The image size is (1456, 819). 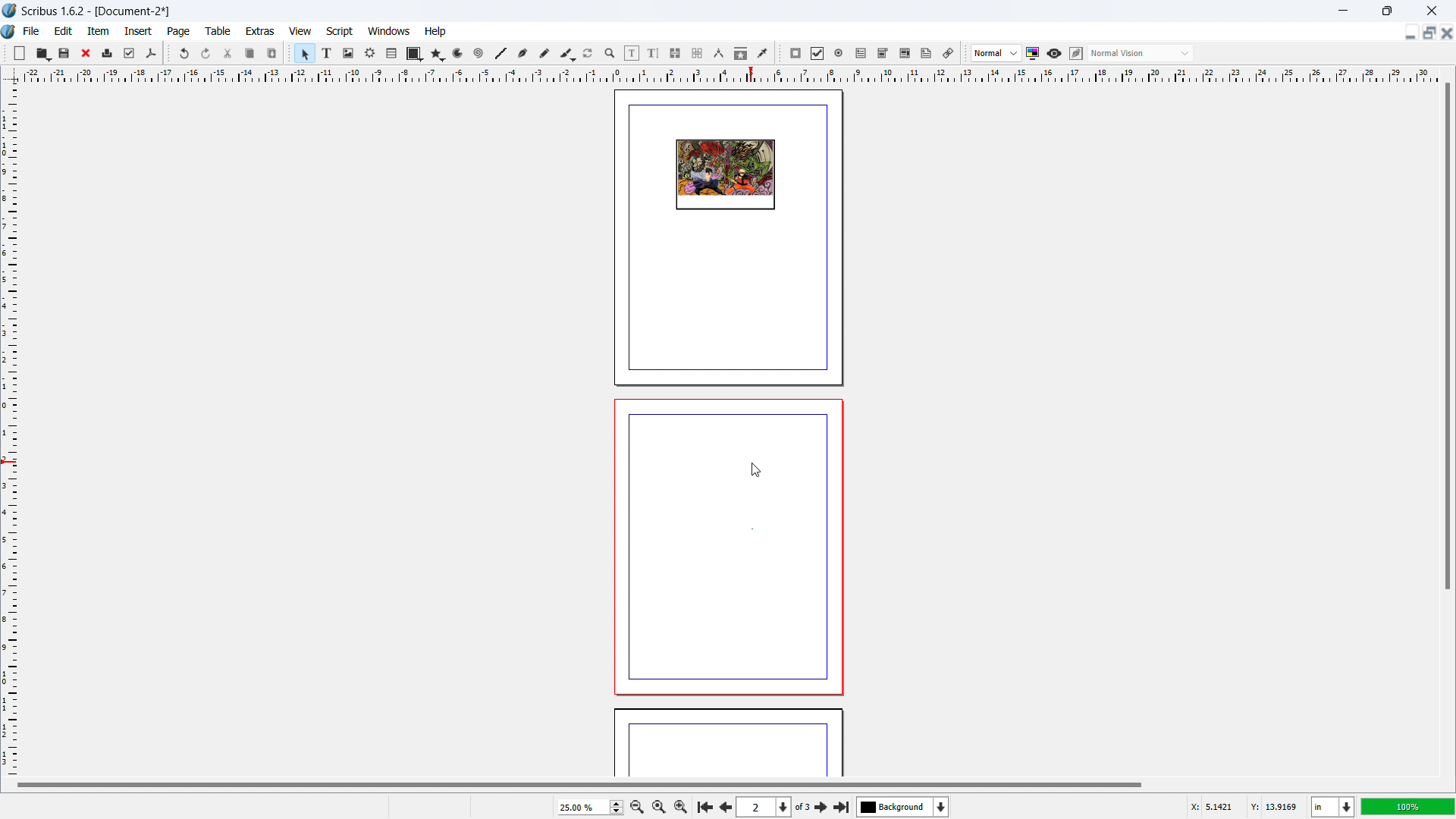 What do you see at coordinates (98, 11) in the screenshot?
I see `Scribus 1.6.2- [Document-2]` at bounding box center [98, 11].